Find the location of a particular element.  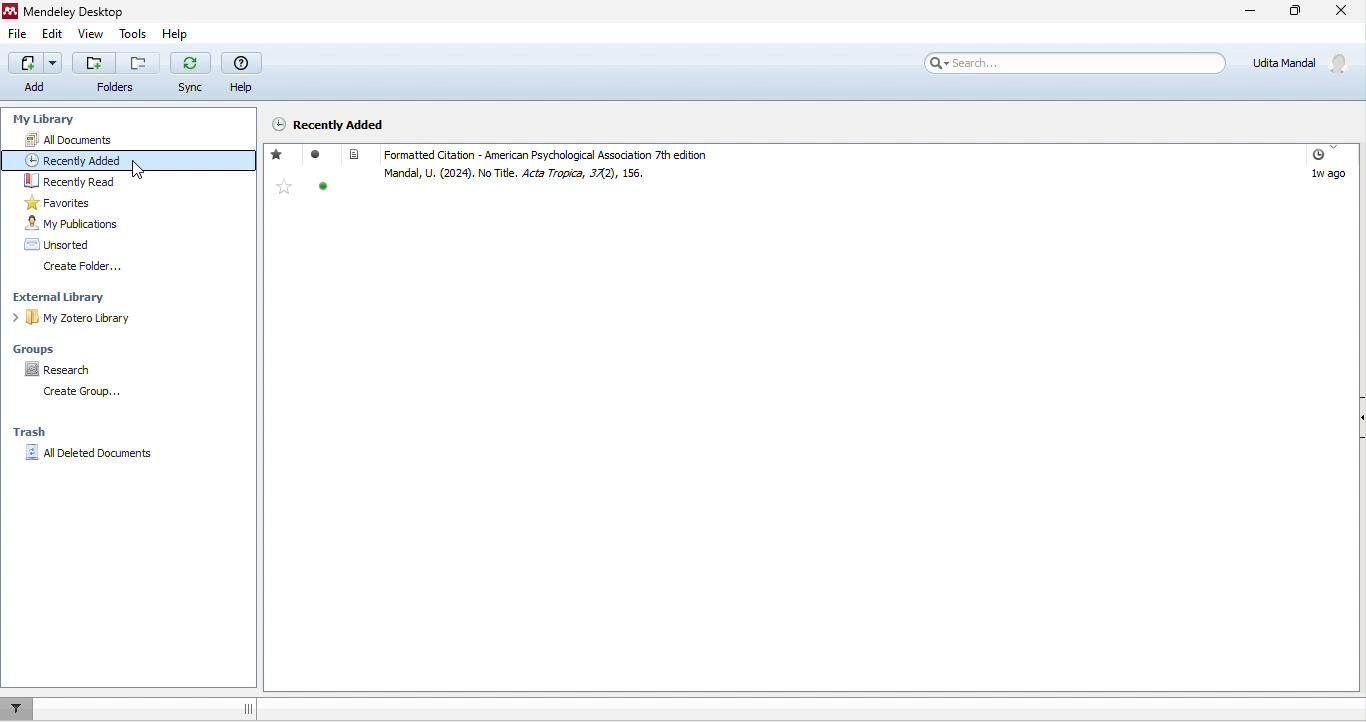

maximize is located at coordinates (1294, 13).